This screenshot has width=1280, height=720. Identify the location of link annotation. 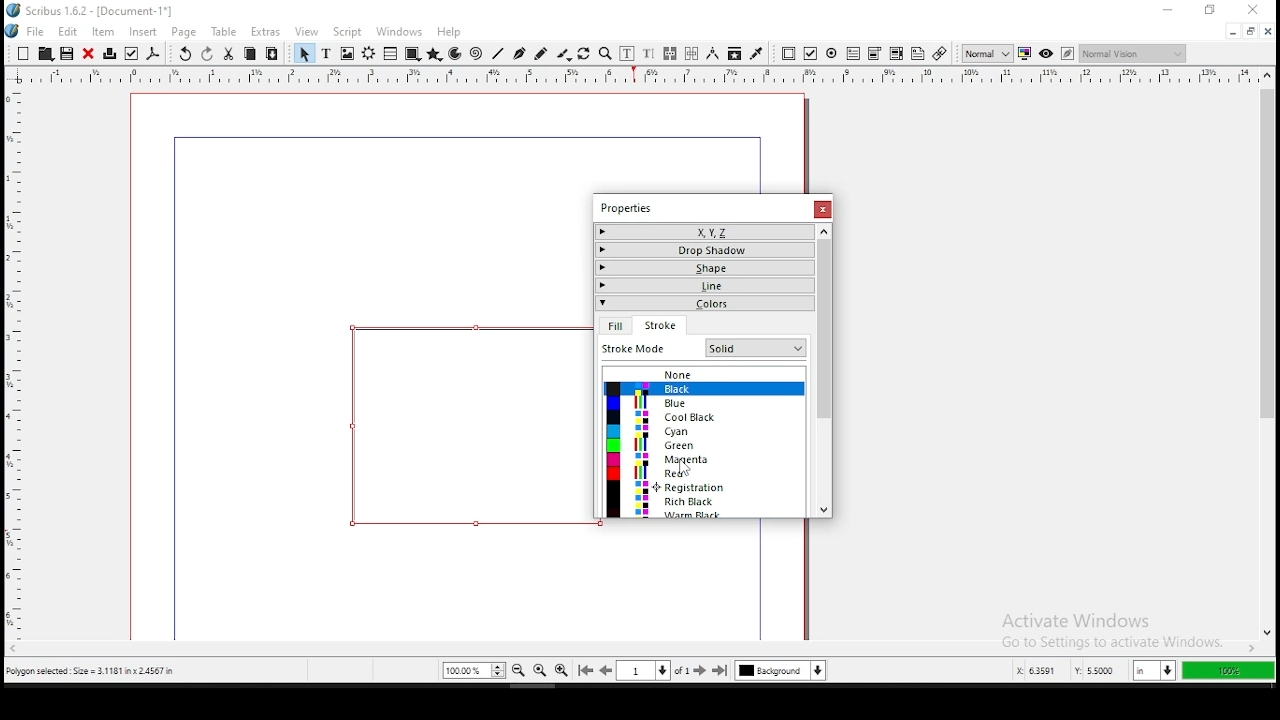
(939, 53).